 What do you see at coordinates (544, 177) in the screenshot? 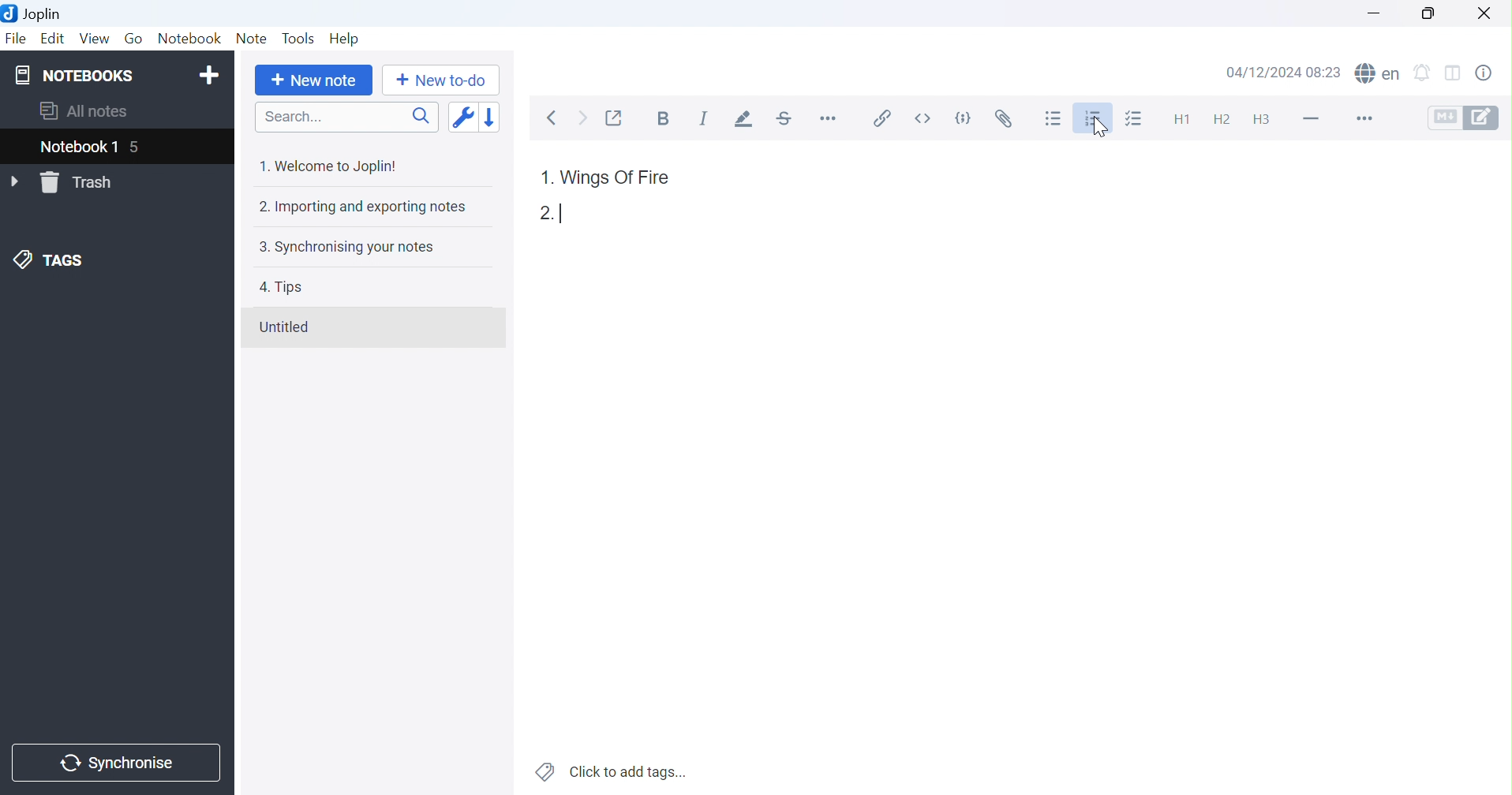
I see `1.` at bounding box center [544, 177].